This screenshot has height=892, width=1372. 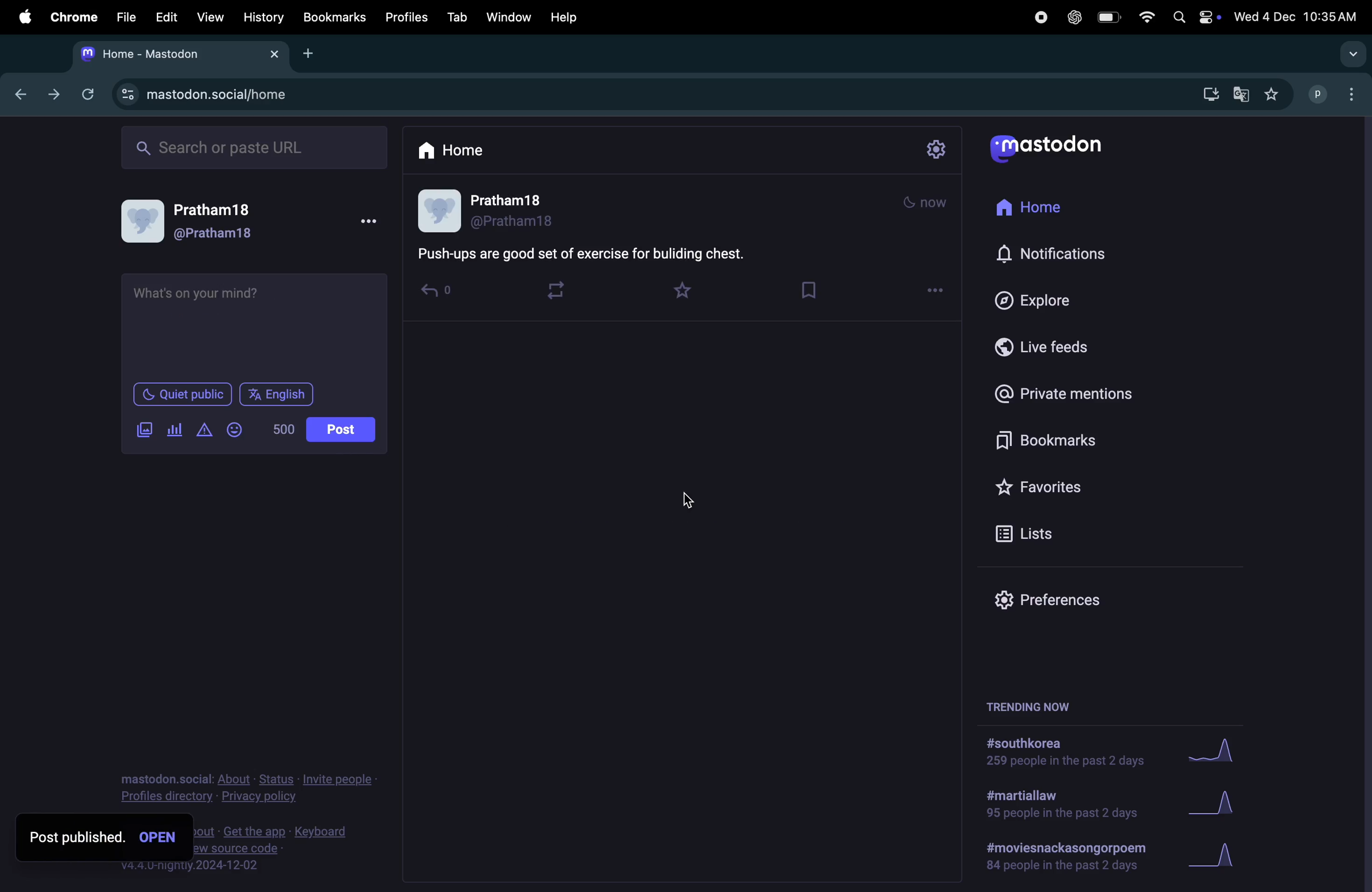 What do you see at coordinates (409, 18) in the screenshot?
I see `profiles` at bounding box center [409, 18].